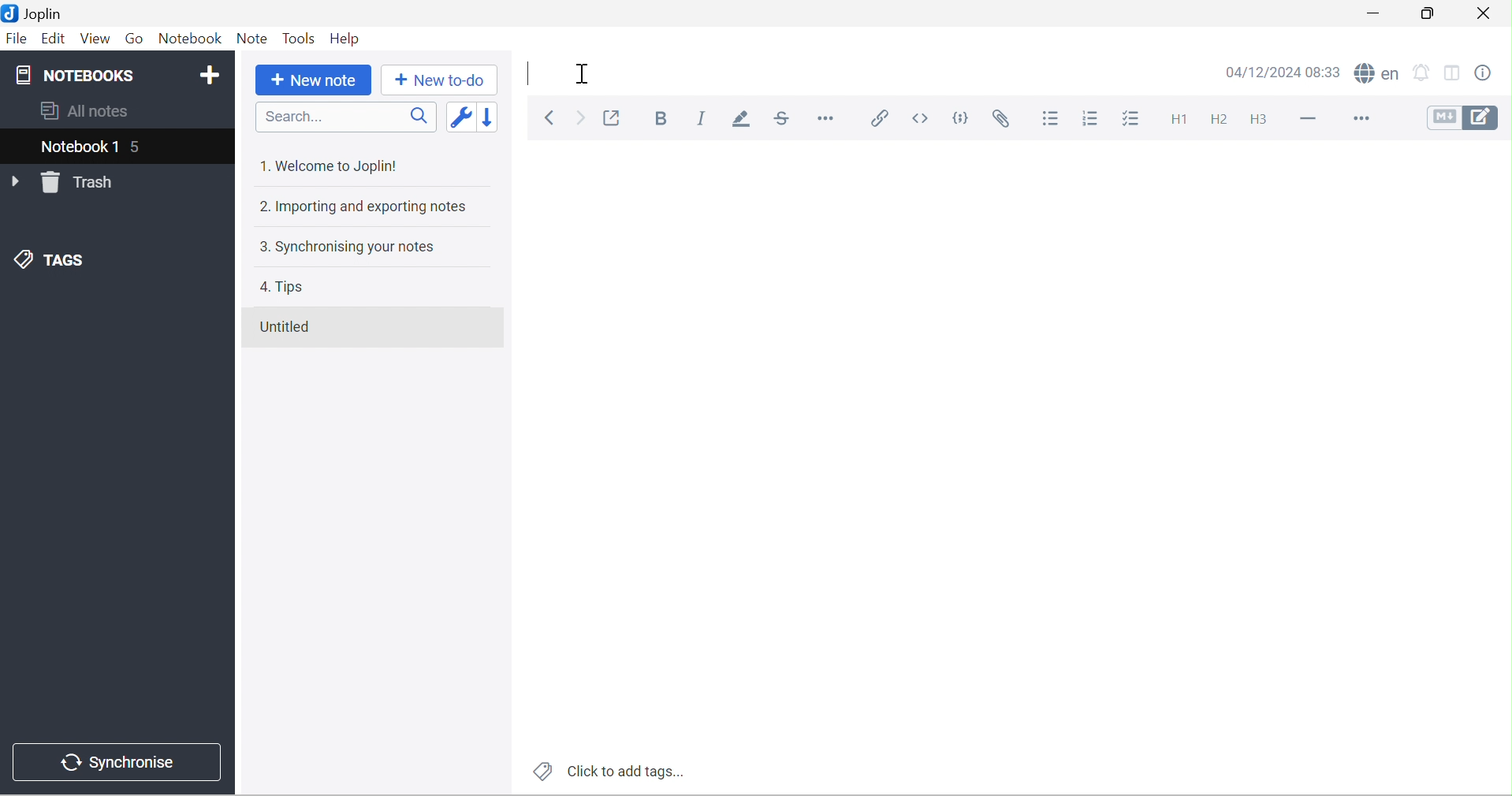 Image resolution: width=1512 pixels, height=796 pixels. I want to click on Notebook, so click(191, 38).